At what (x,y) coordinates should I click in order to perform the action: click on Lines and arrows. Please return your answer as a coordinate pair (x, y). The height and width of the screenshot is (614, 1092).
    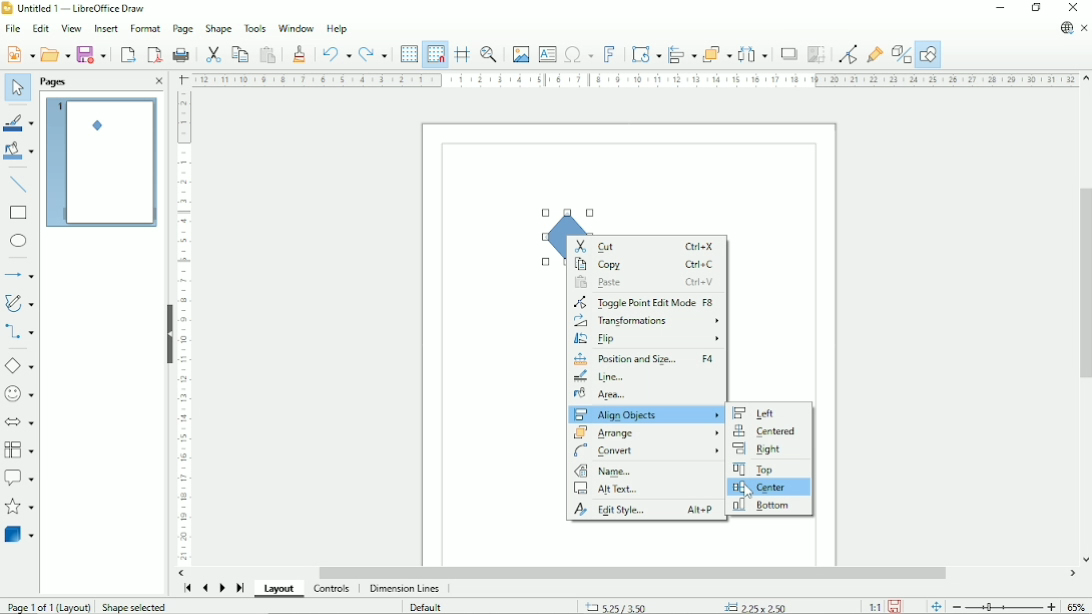
    Looking at the image, I should click on (21, 274).